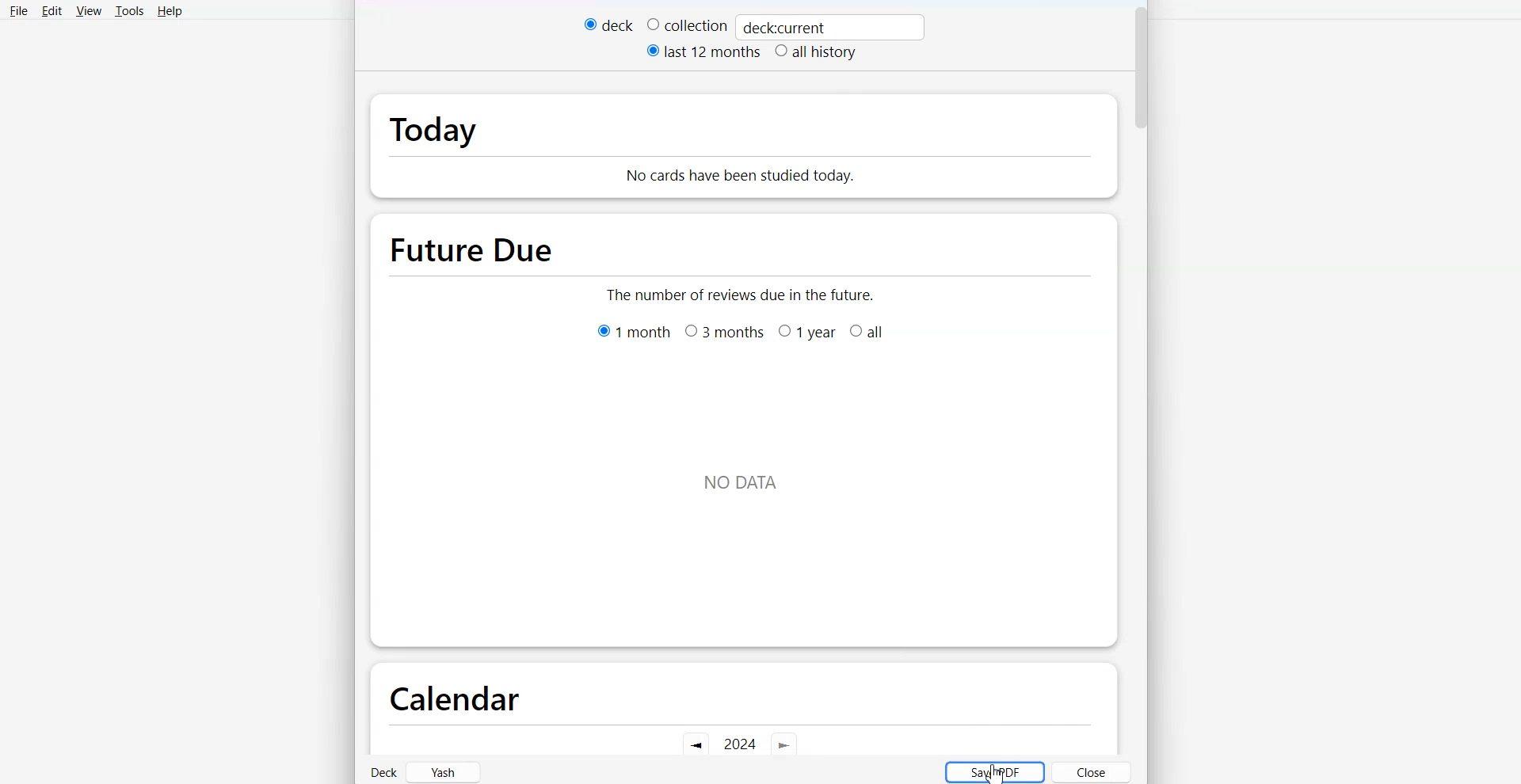 This screenshot has width=1521, height=784. What do you see at coordinates (453, 696) in the screenshot?
I see `Calendar` at bounding box center [453, 696].